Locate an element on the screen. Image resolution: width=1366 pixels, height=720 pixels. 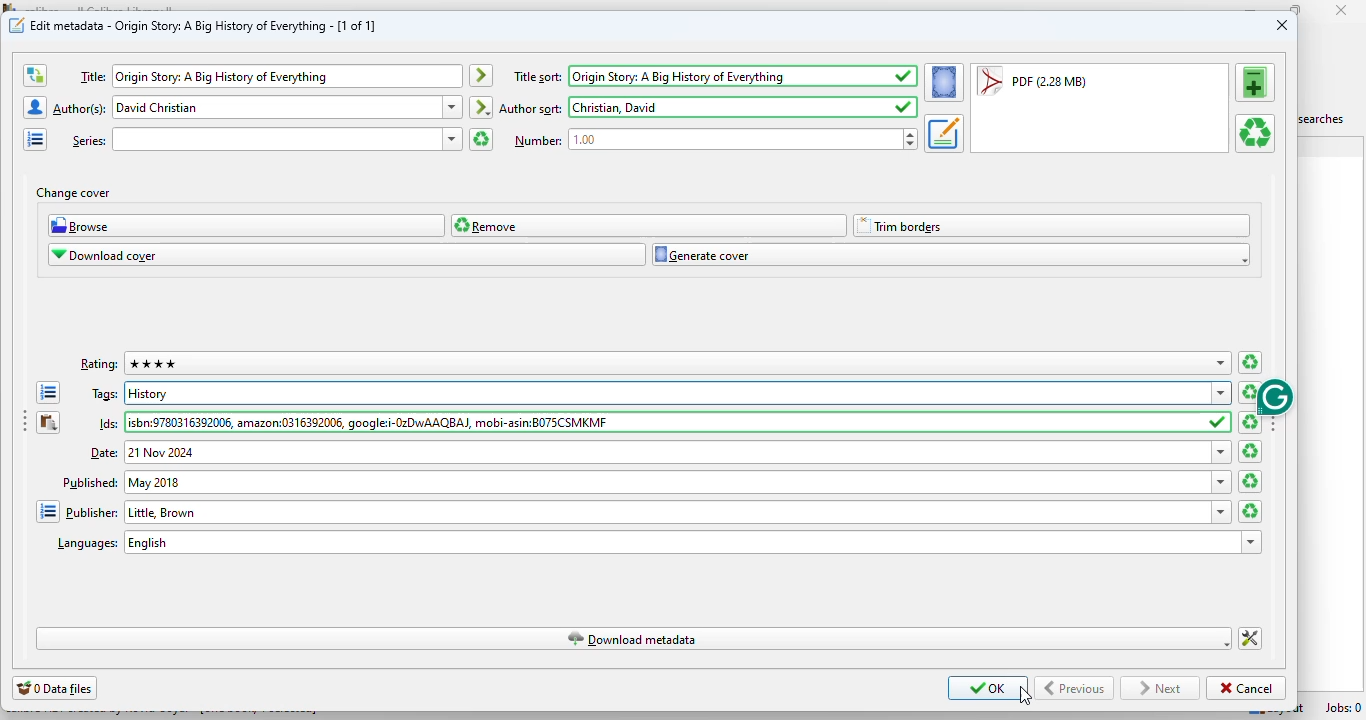
trim borders is located at coordinates (1051, 226).